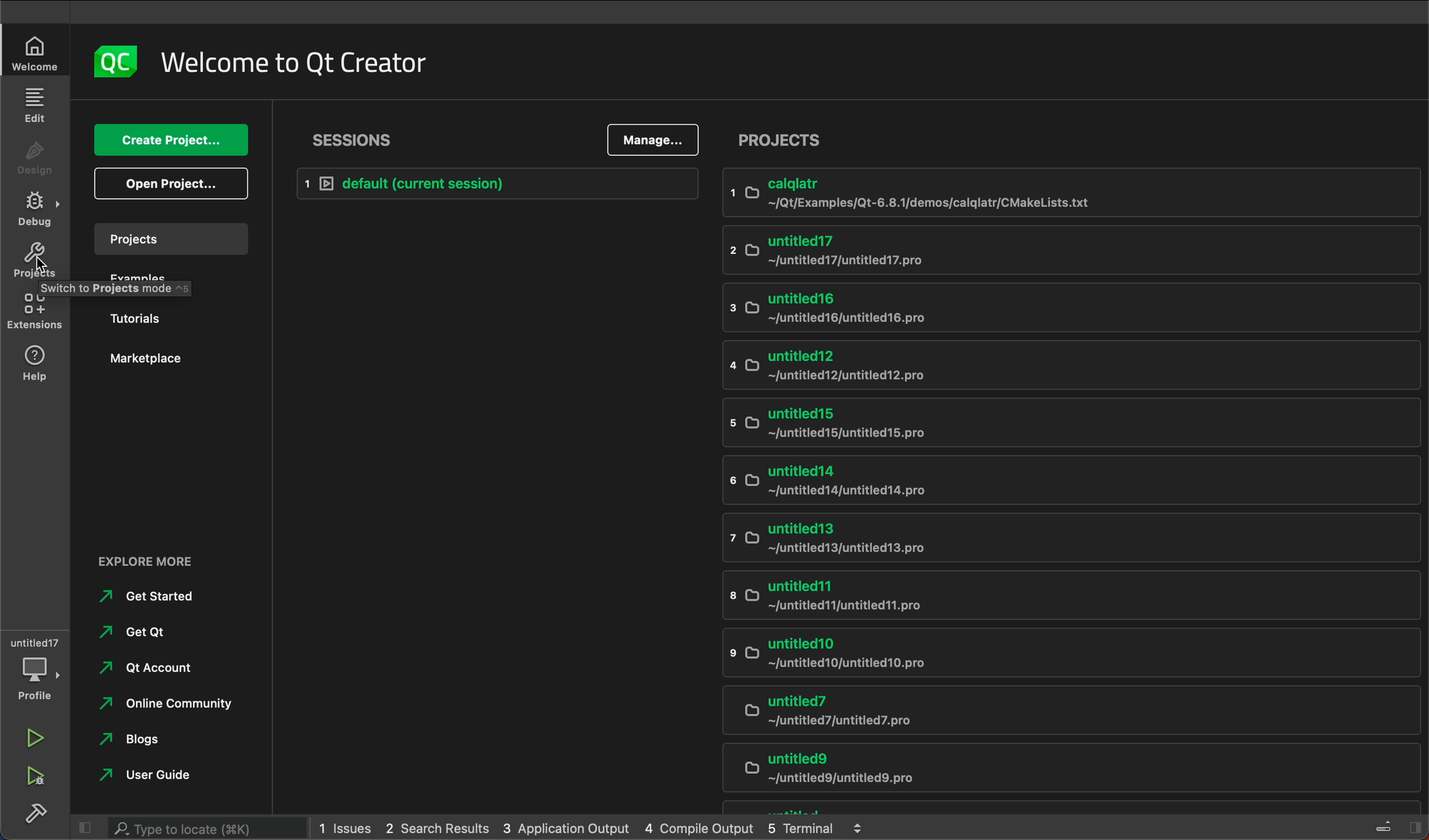 This screenshot has height=840, width=1429. What do you see at coordinates (346, 139) in the screenshot?
I see `sessions` at bounding box center [346, 139].